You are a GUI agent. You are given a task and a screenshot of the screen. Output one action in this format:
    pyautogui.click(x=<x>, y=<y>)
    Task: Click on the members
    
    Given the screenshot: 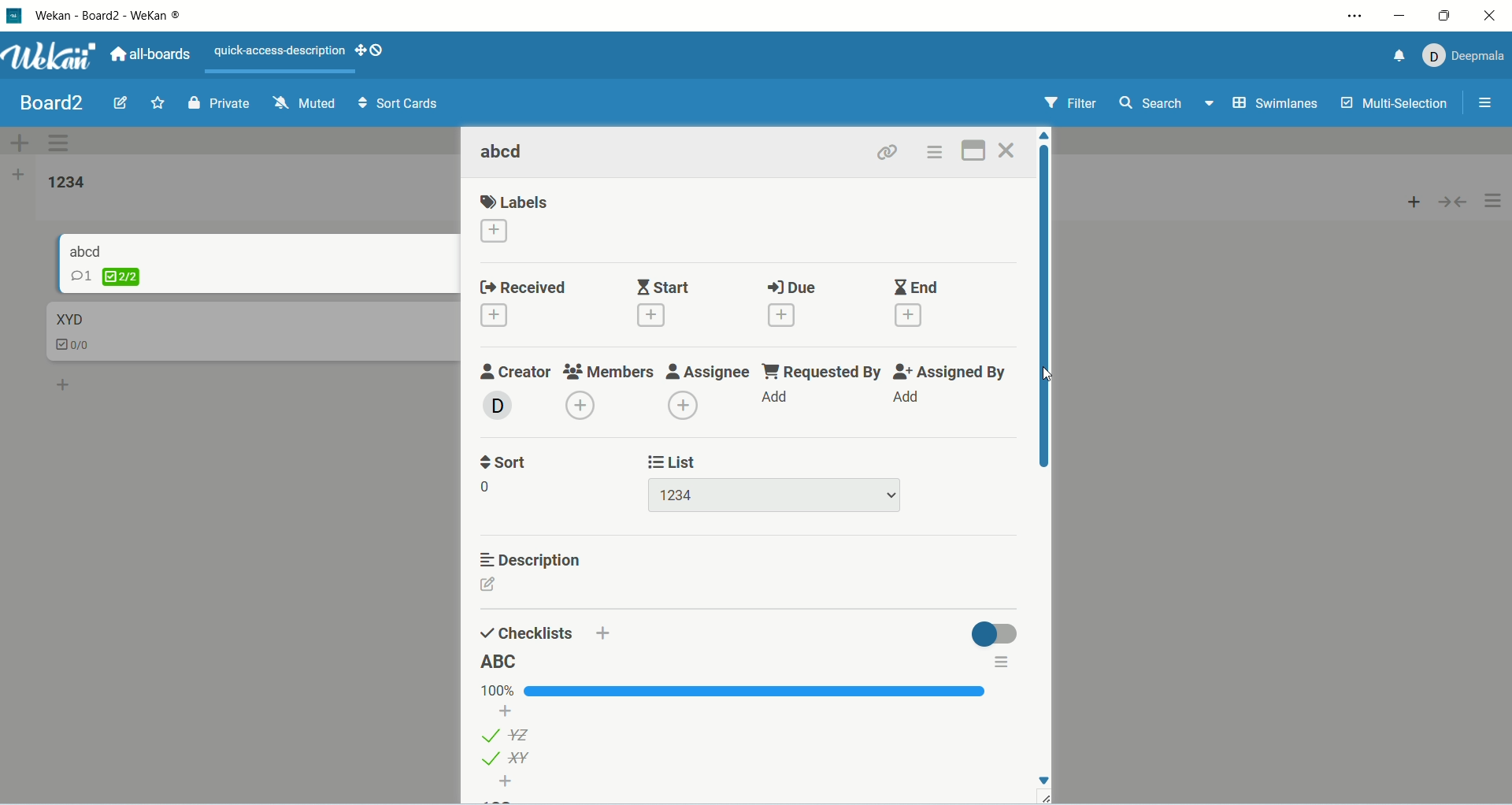 What is the action you would take?
    pyautogui.click(x=609, y=370)
    